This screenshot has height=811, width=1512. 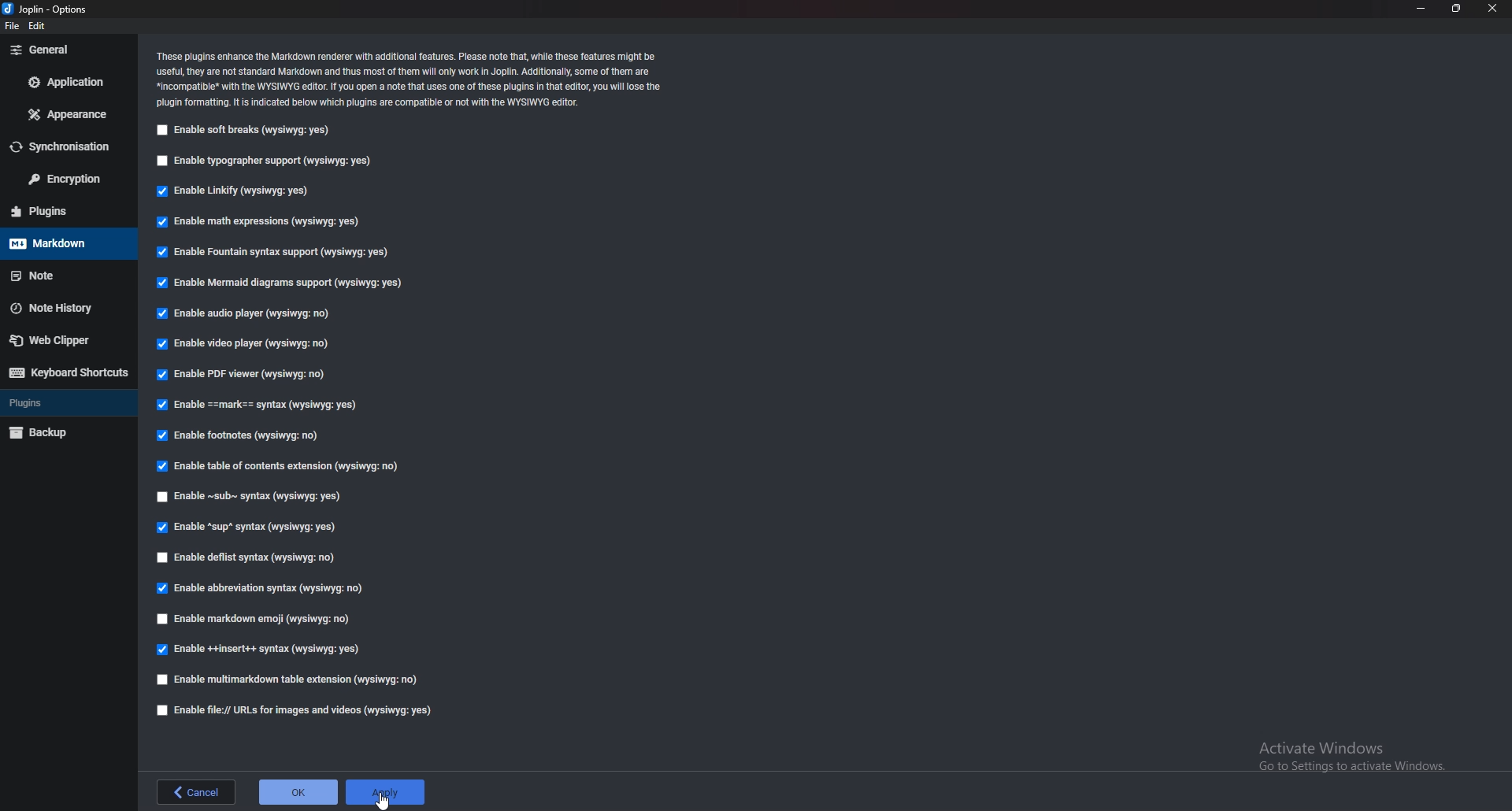 I want to click on Encryption, so click(x=68, y=180).